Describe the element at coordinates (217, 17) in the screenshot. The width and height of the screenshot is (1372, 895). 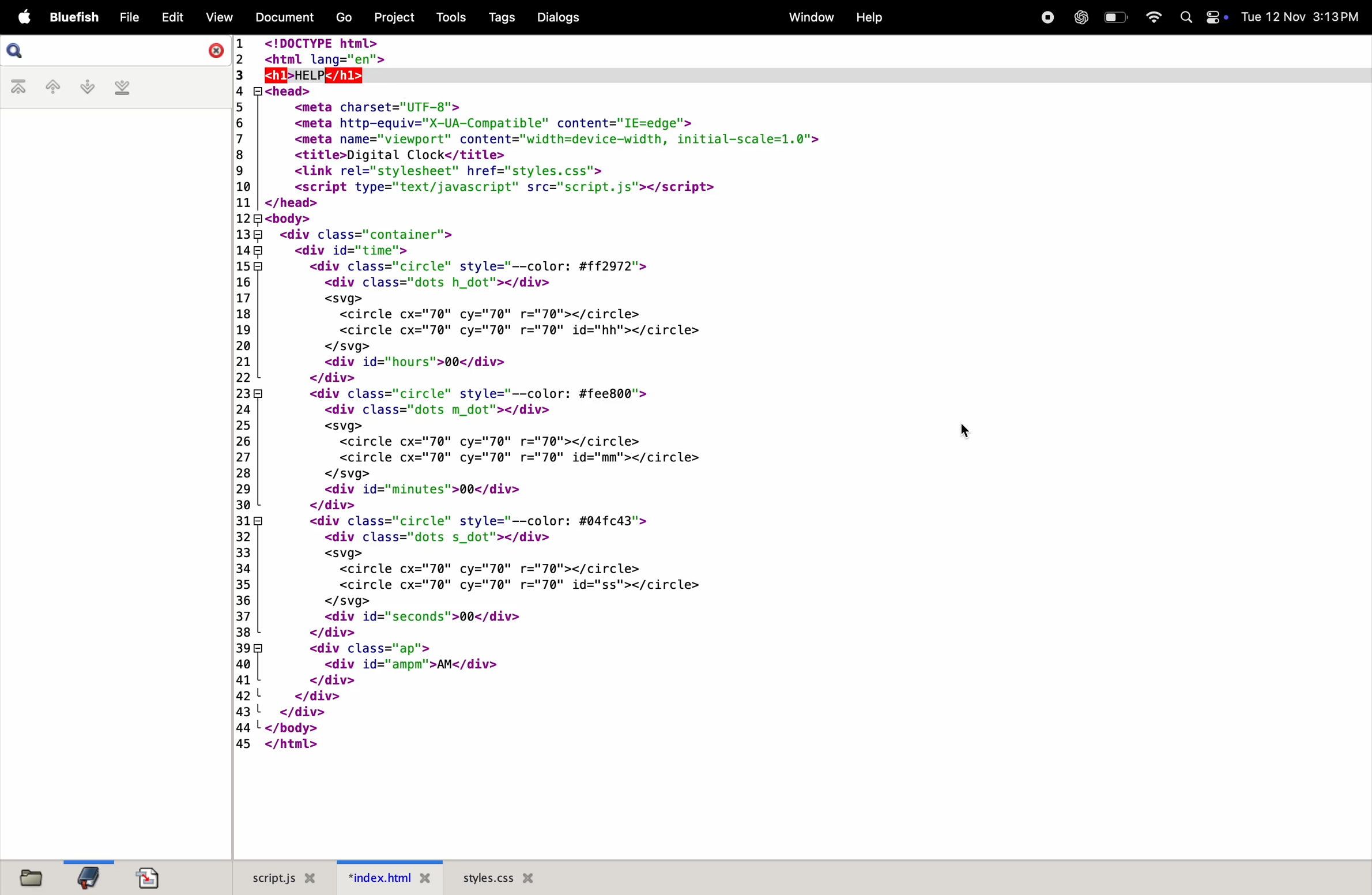
I see `view` at that location.